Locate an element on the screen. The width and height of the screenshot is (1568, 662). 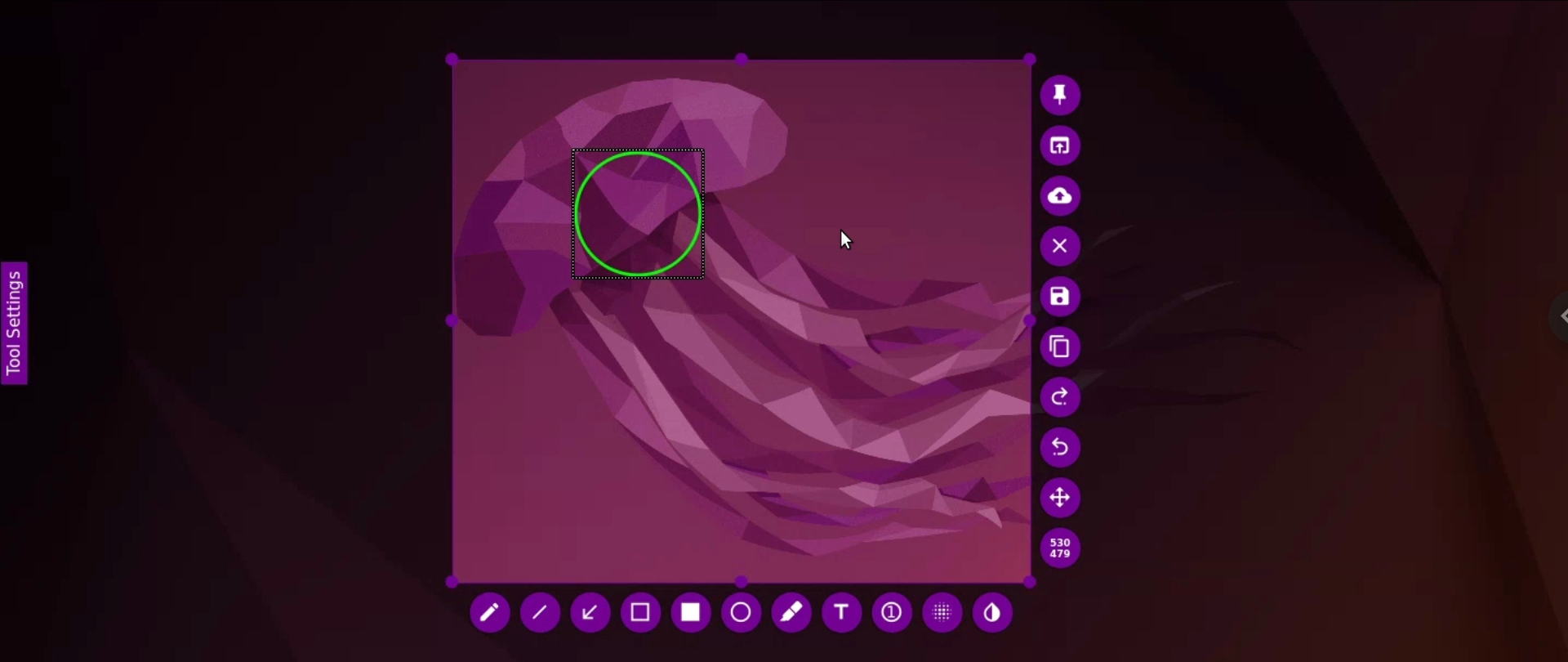
add text is located at coordinates (843, 613).